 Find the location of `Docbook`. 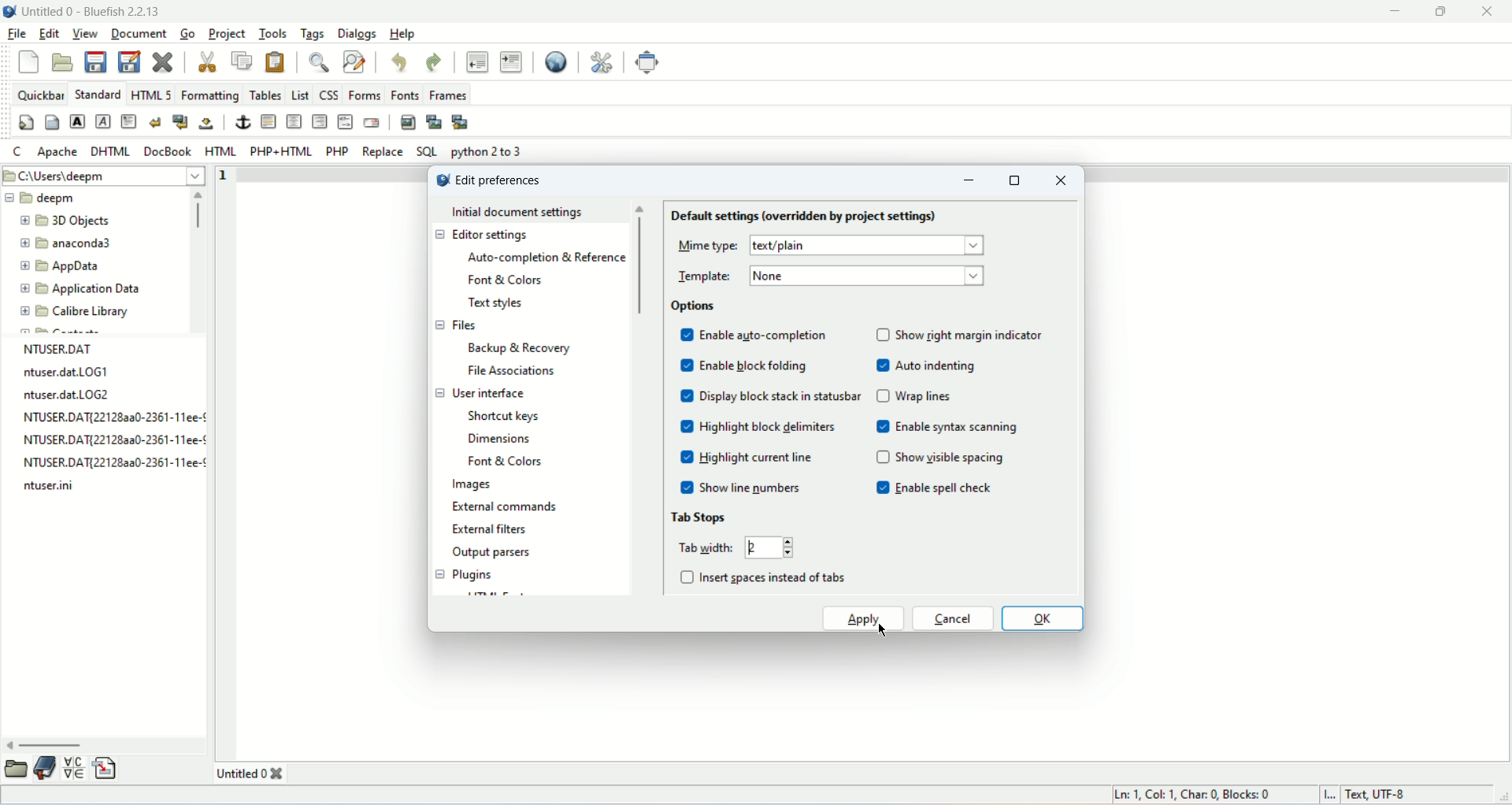

Docbook is located at coordinates (167, 151).